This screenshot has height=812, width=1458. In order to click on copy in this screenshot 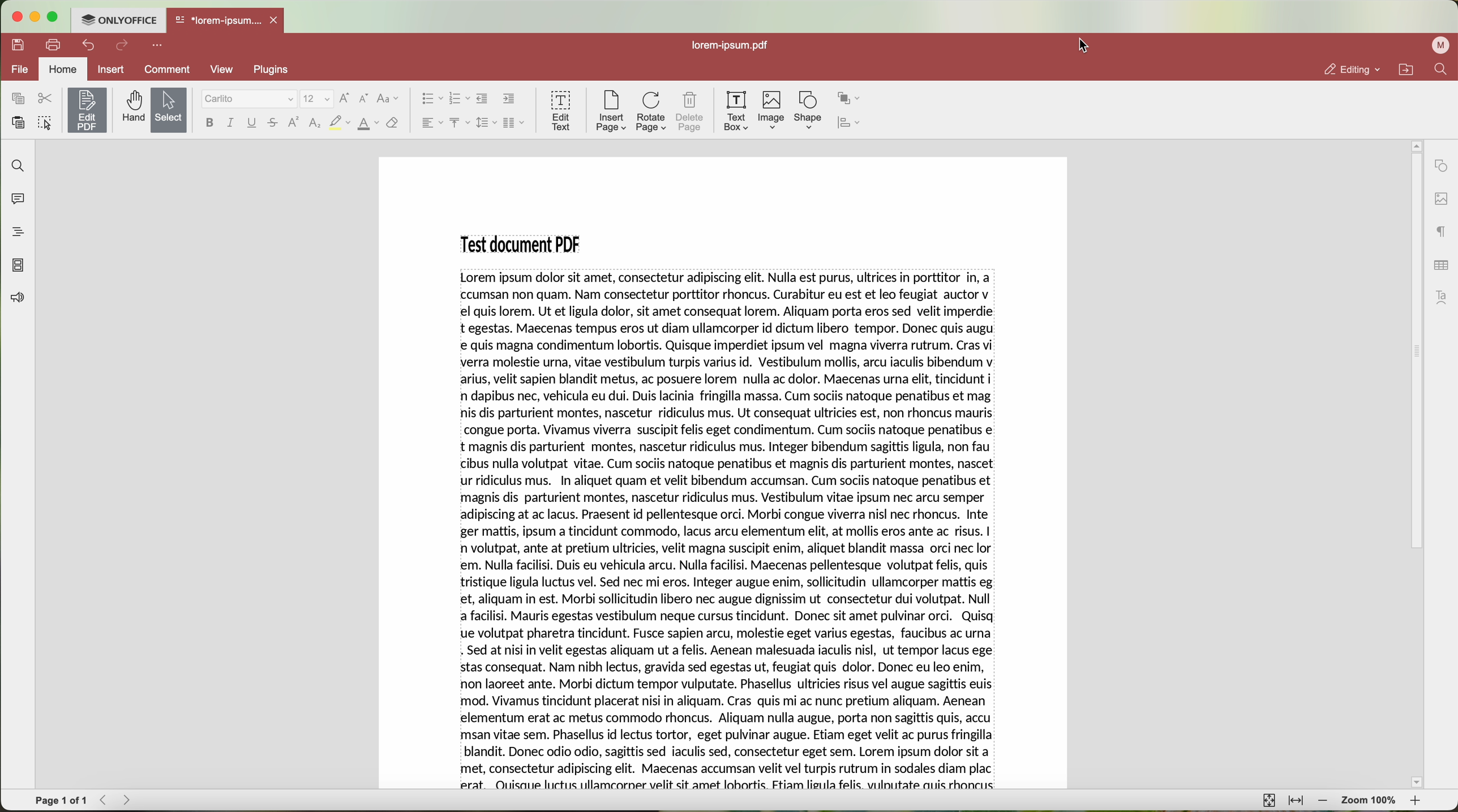, I will do `click(18, 98)`.